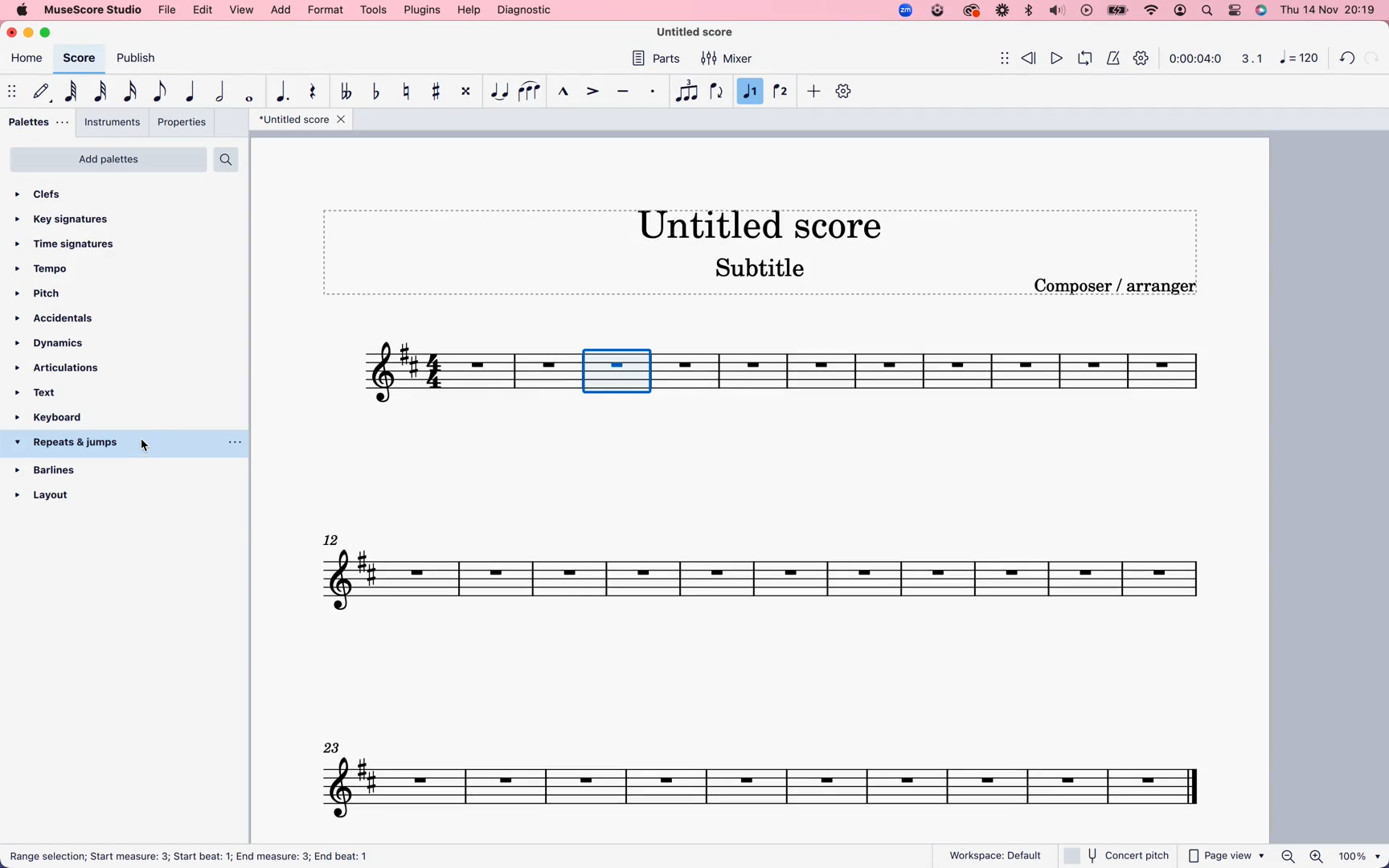 The width and height of the screenshot is (1389, 868). What do you see at coordinates (374, 10) in the screenshot?
I see `tools` at bounding box center [374, 10].